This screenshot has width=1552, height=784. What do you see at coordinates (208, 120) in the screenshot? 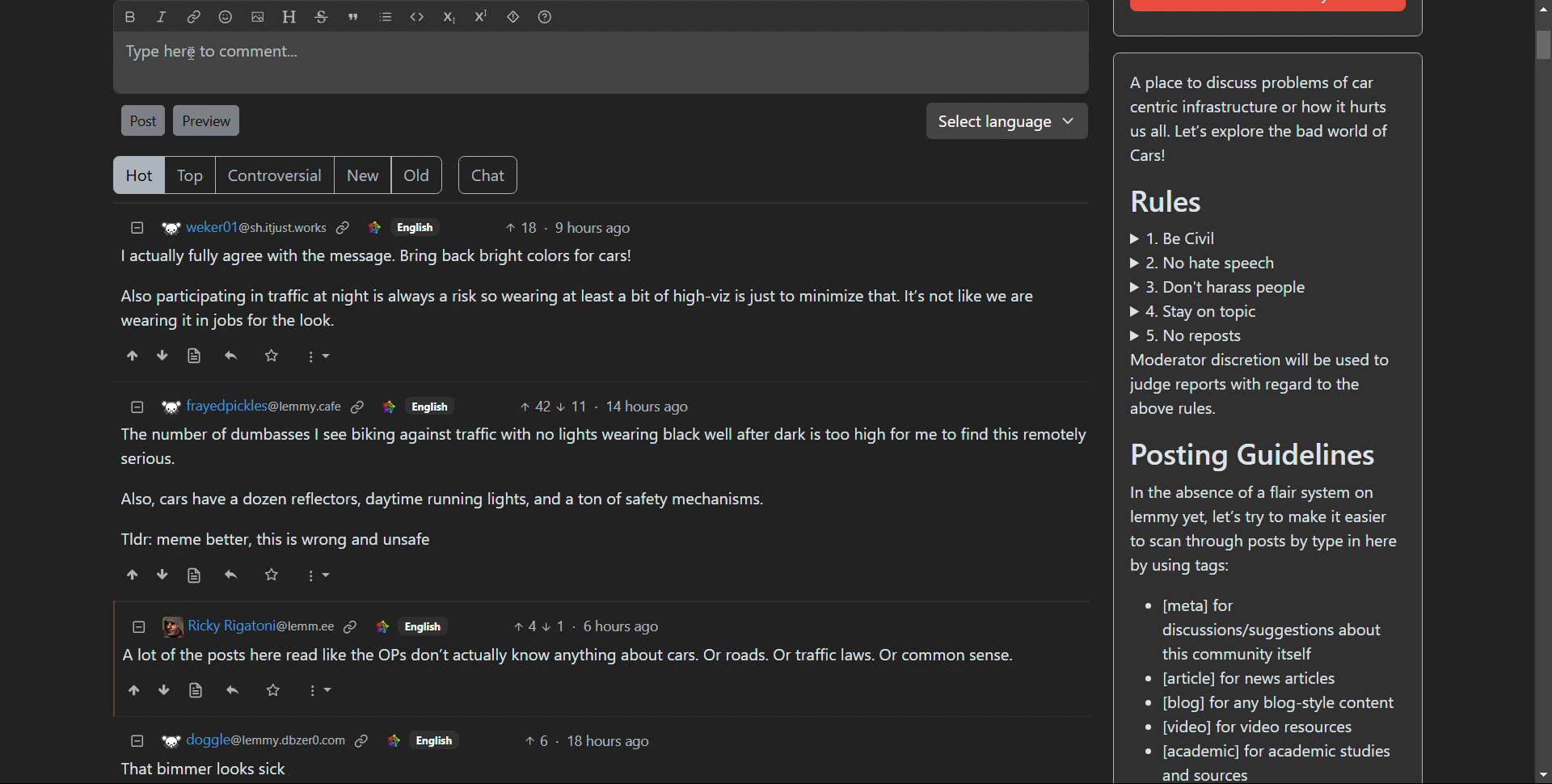
I see `preview` at bounding box center [208, 120].